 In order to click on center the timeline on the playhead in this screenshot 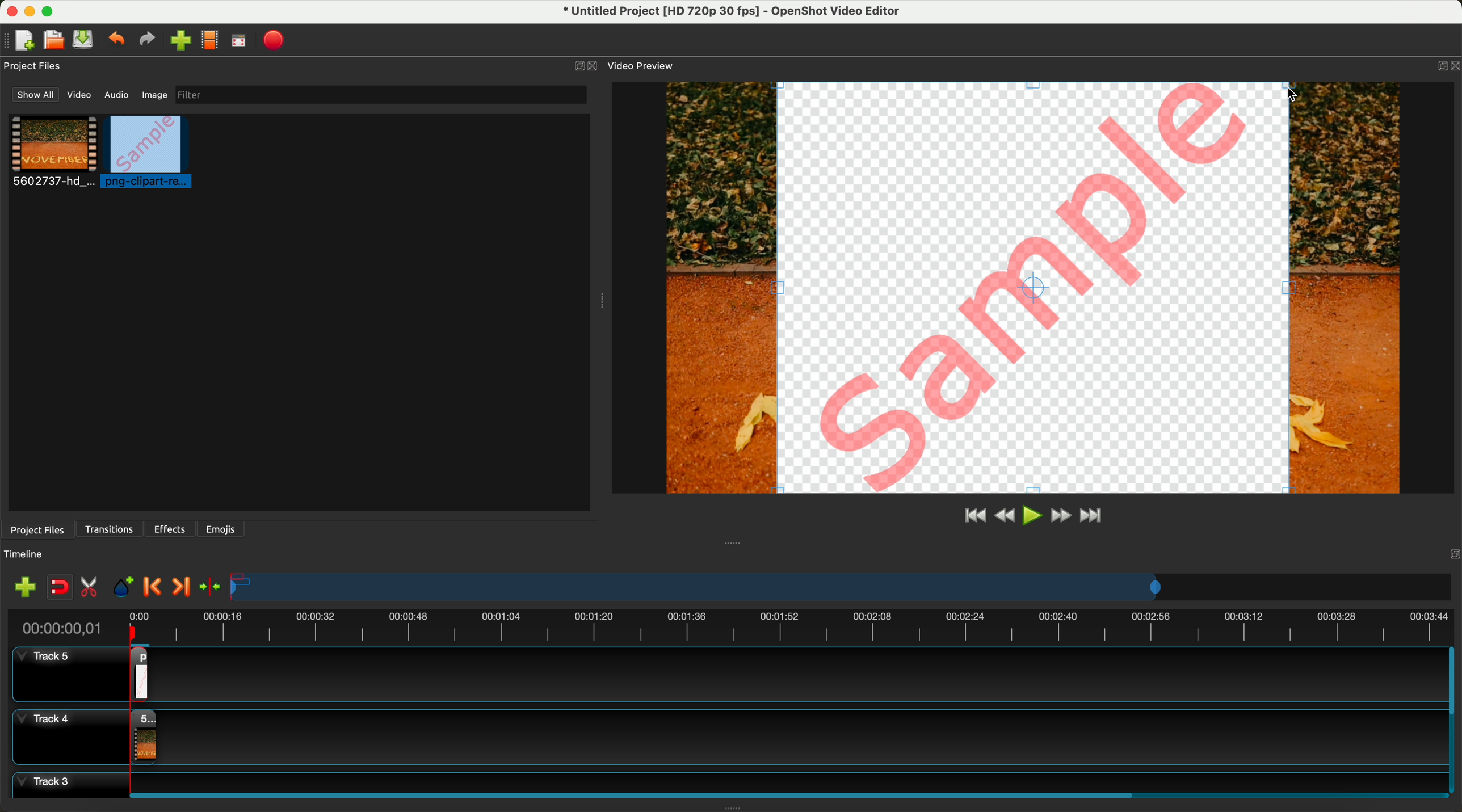, I will do `click(209, 586)`.